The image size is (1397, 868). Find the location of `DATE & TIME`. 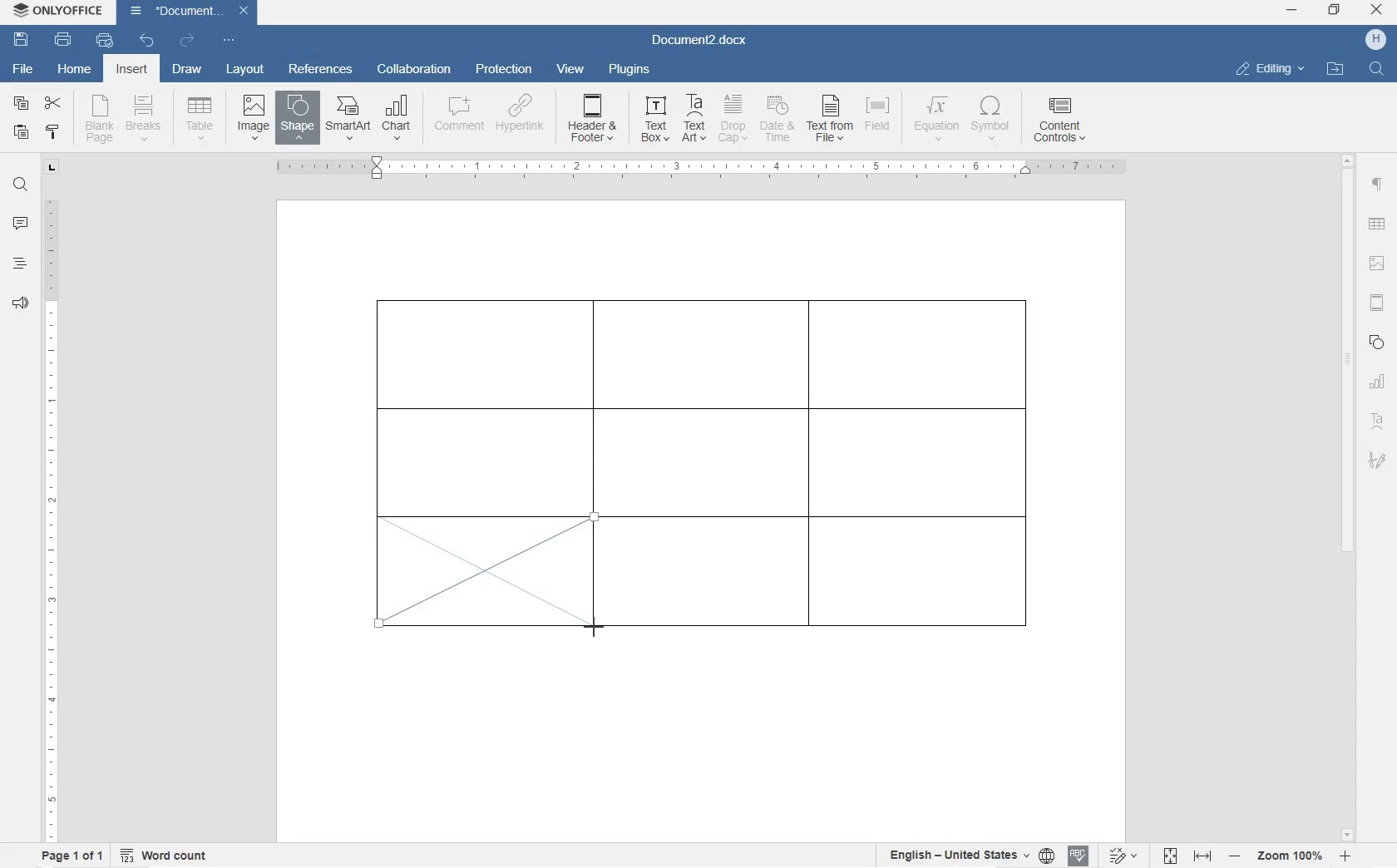

DATE & TIME is located at coordinates (780, 121).